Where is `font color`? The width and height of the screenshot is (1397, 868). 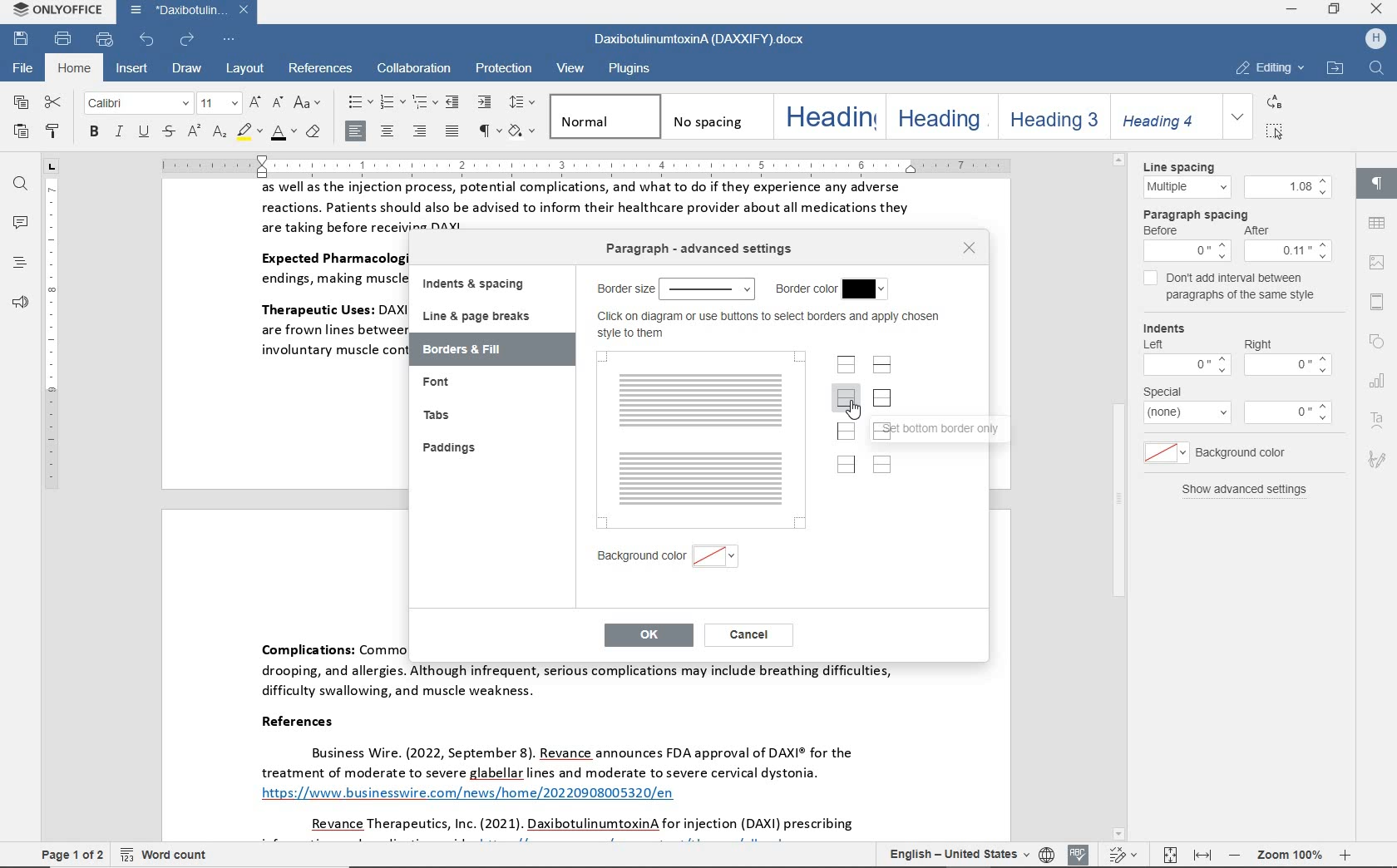
font color is located at coordinates (283, 135).